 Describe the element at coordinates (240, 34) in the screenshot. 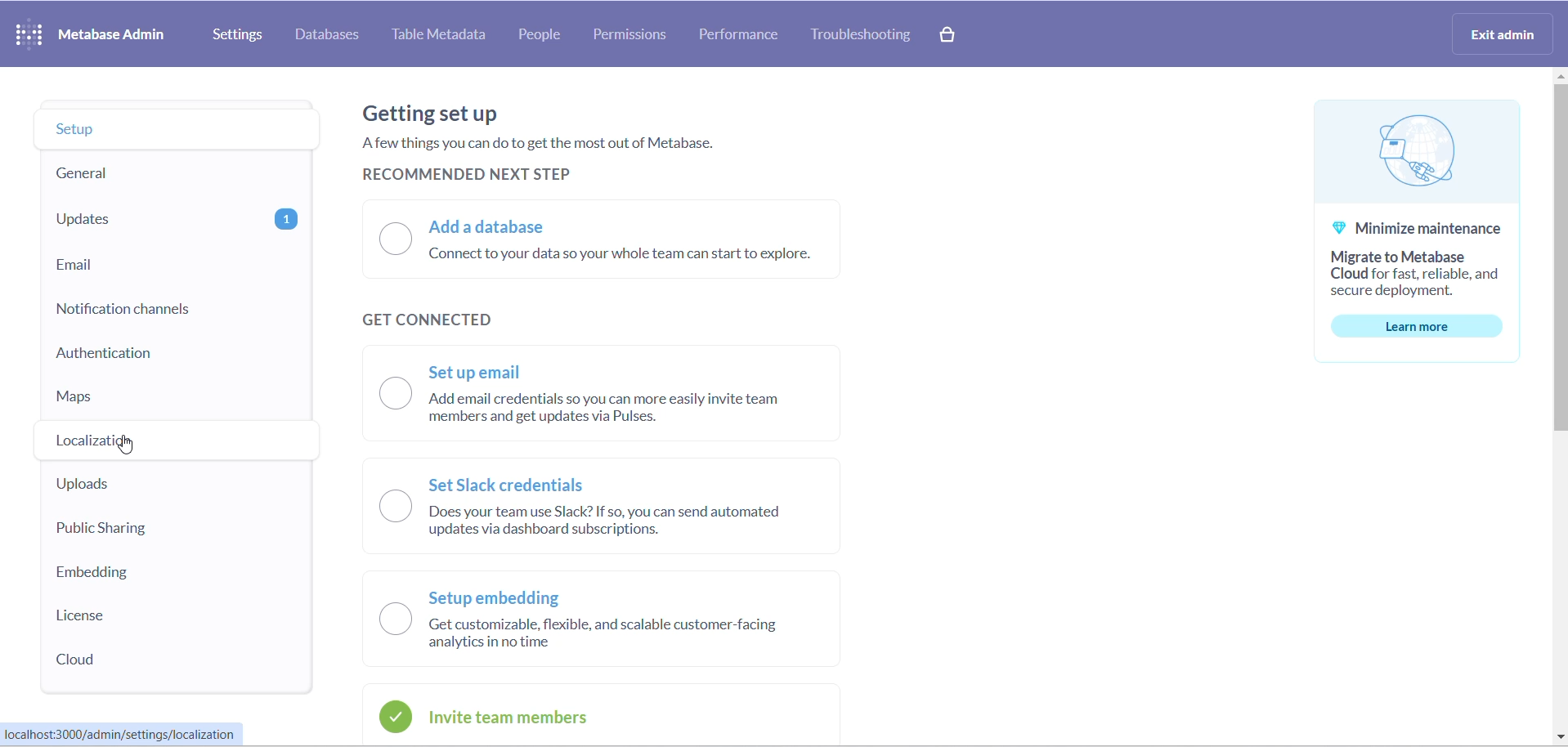

I see `SETTINGS` at that location.